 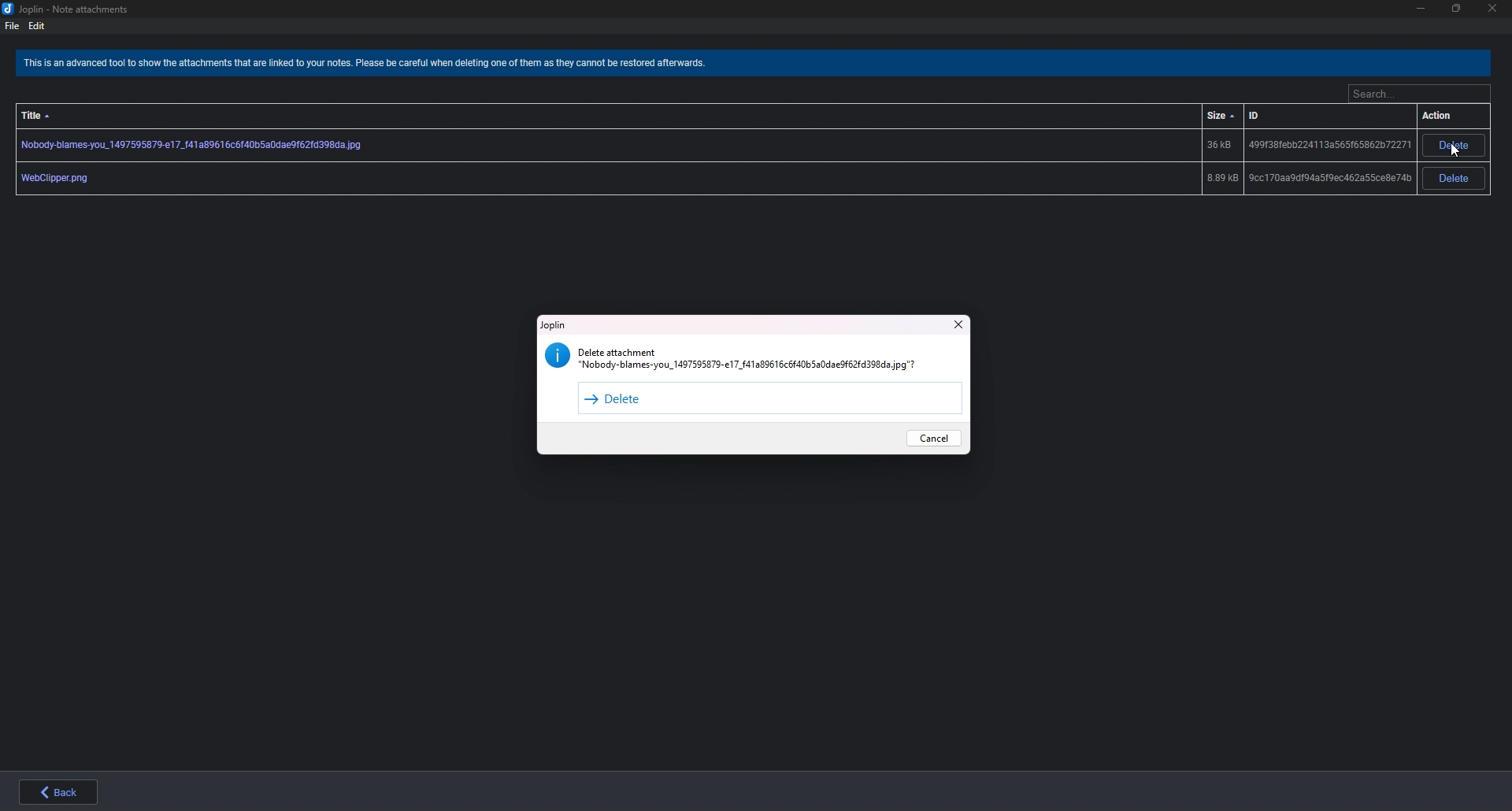 I want to click on edit, so click(x=37, y=25).